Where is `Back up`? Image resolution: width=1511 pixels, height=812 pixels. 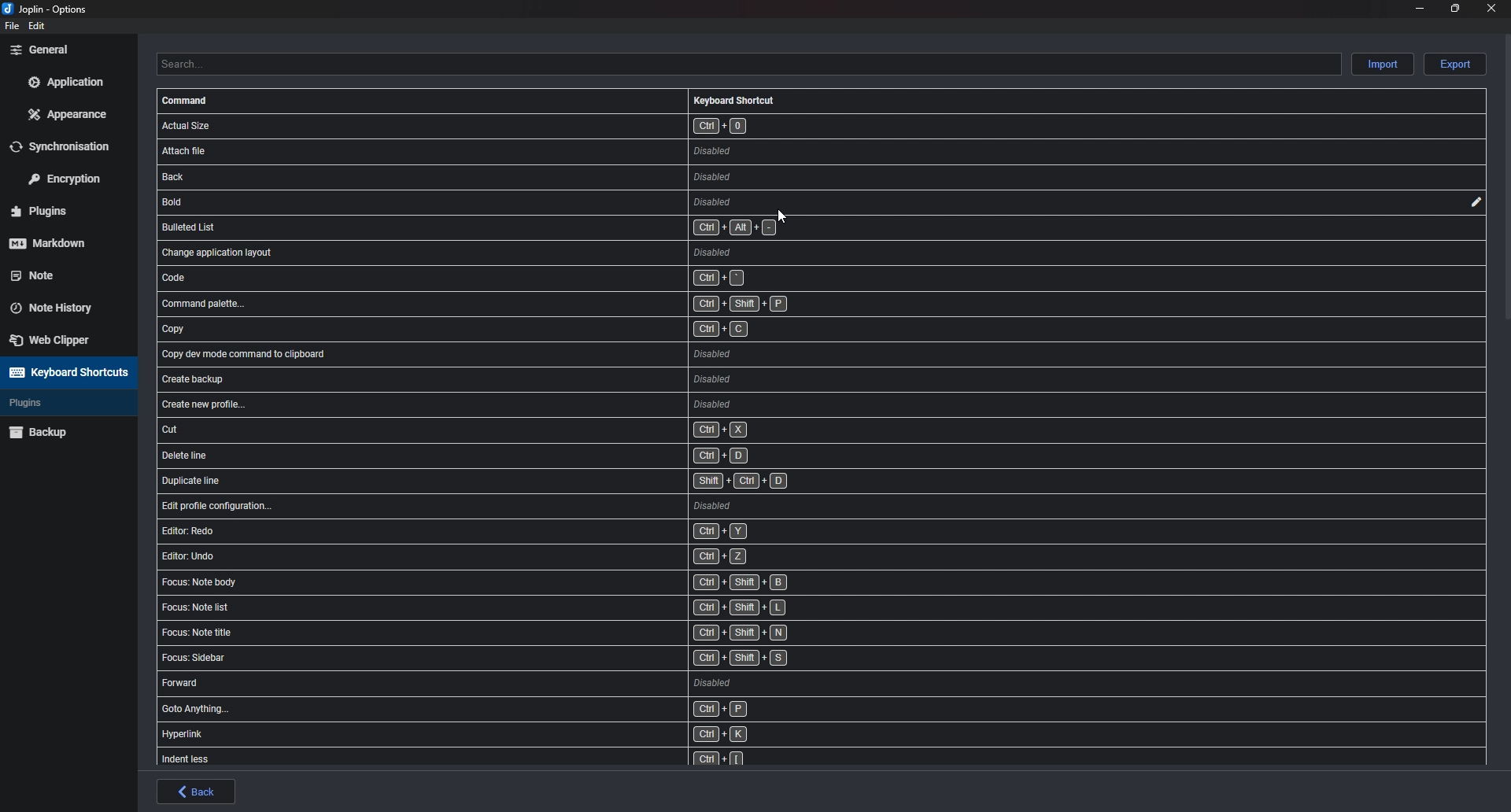 Back up is located at coordinates (65, 431).